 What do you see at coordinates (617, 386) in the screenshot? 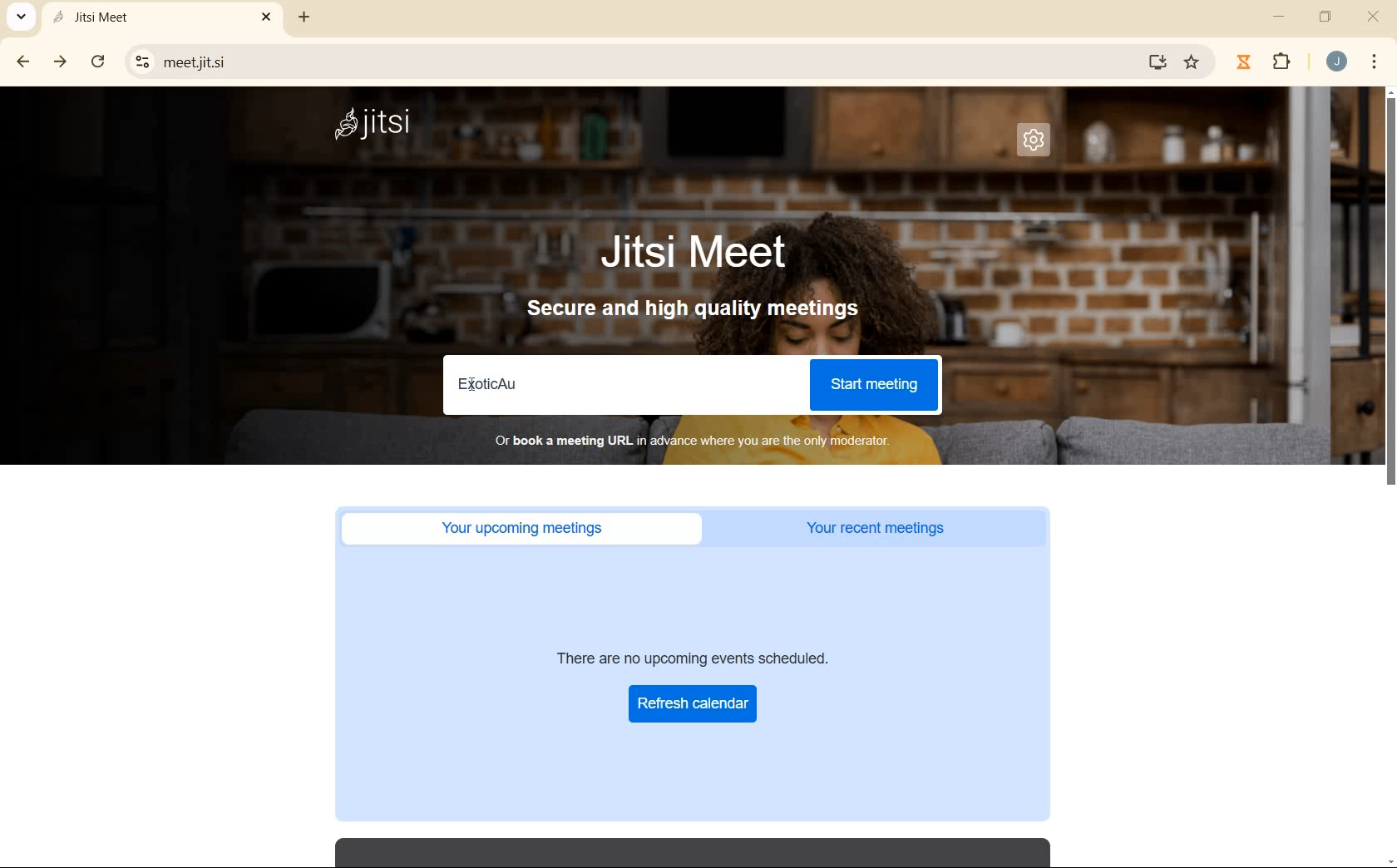
I see `enter meeting title` at bounding box center [617, 386].